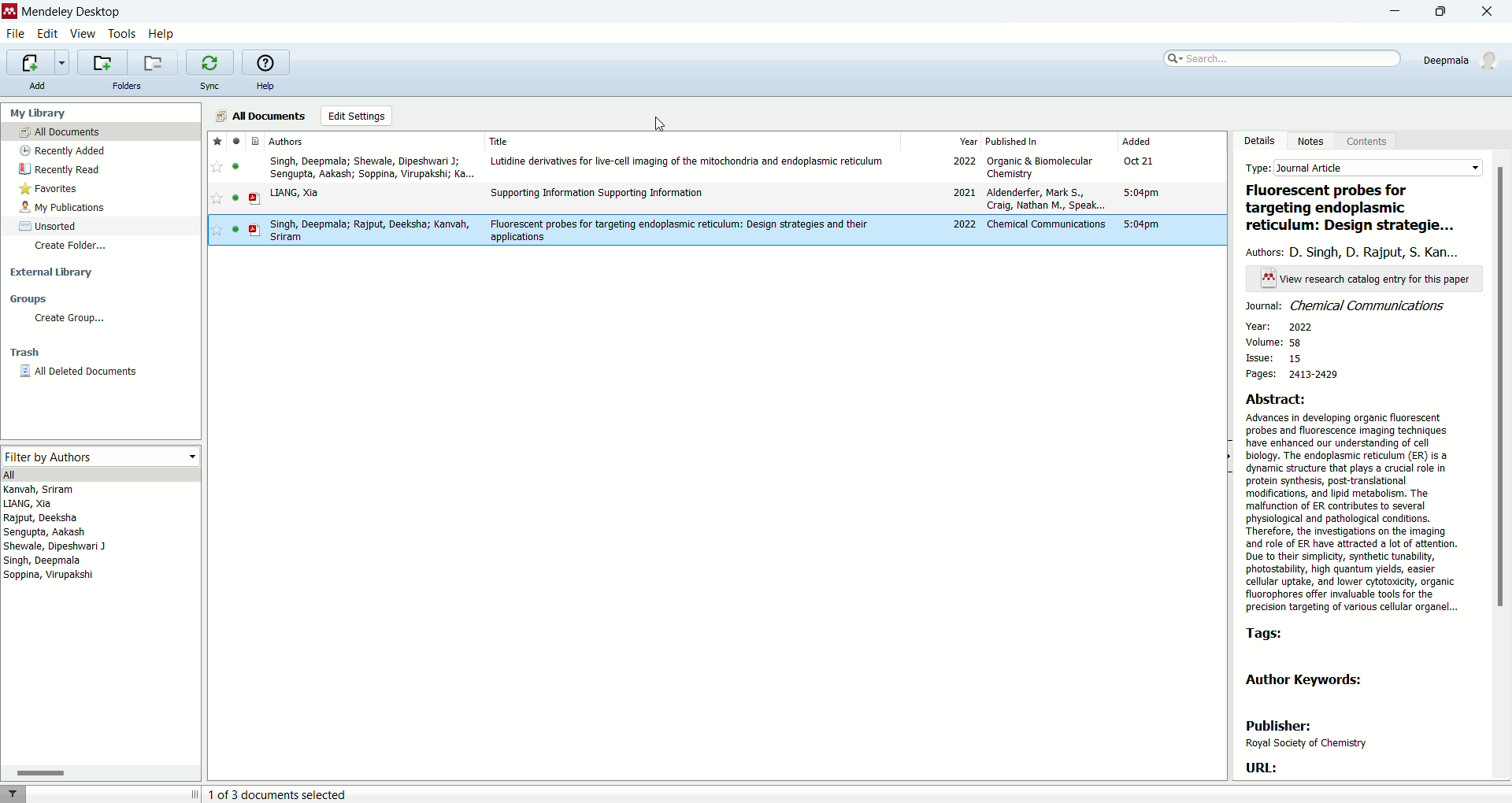  I want to click on authors, so click(298, 142).